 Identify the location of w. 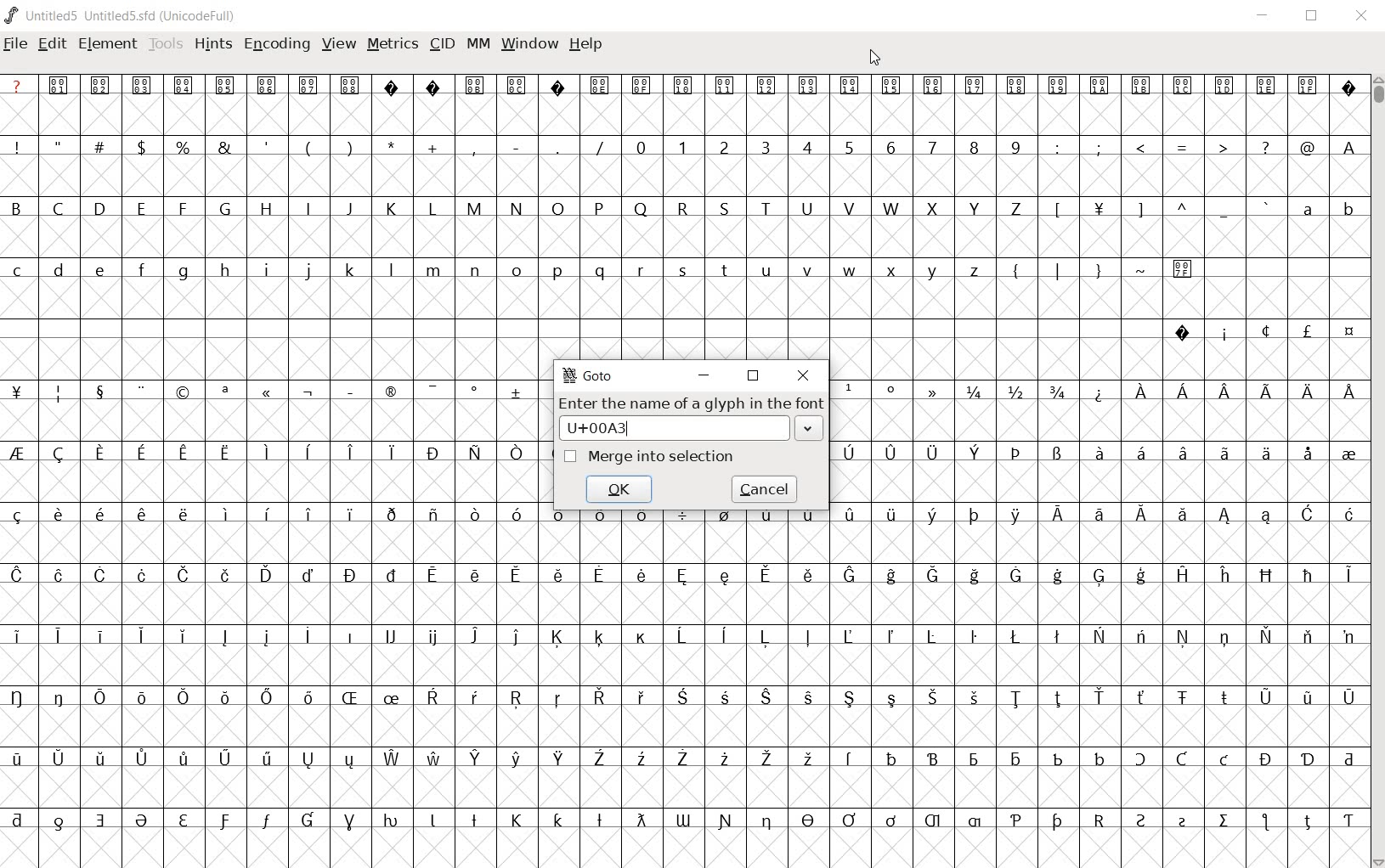
(848, 270).